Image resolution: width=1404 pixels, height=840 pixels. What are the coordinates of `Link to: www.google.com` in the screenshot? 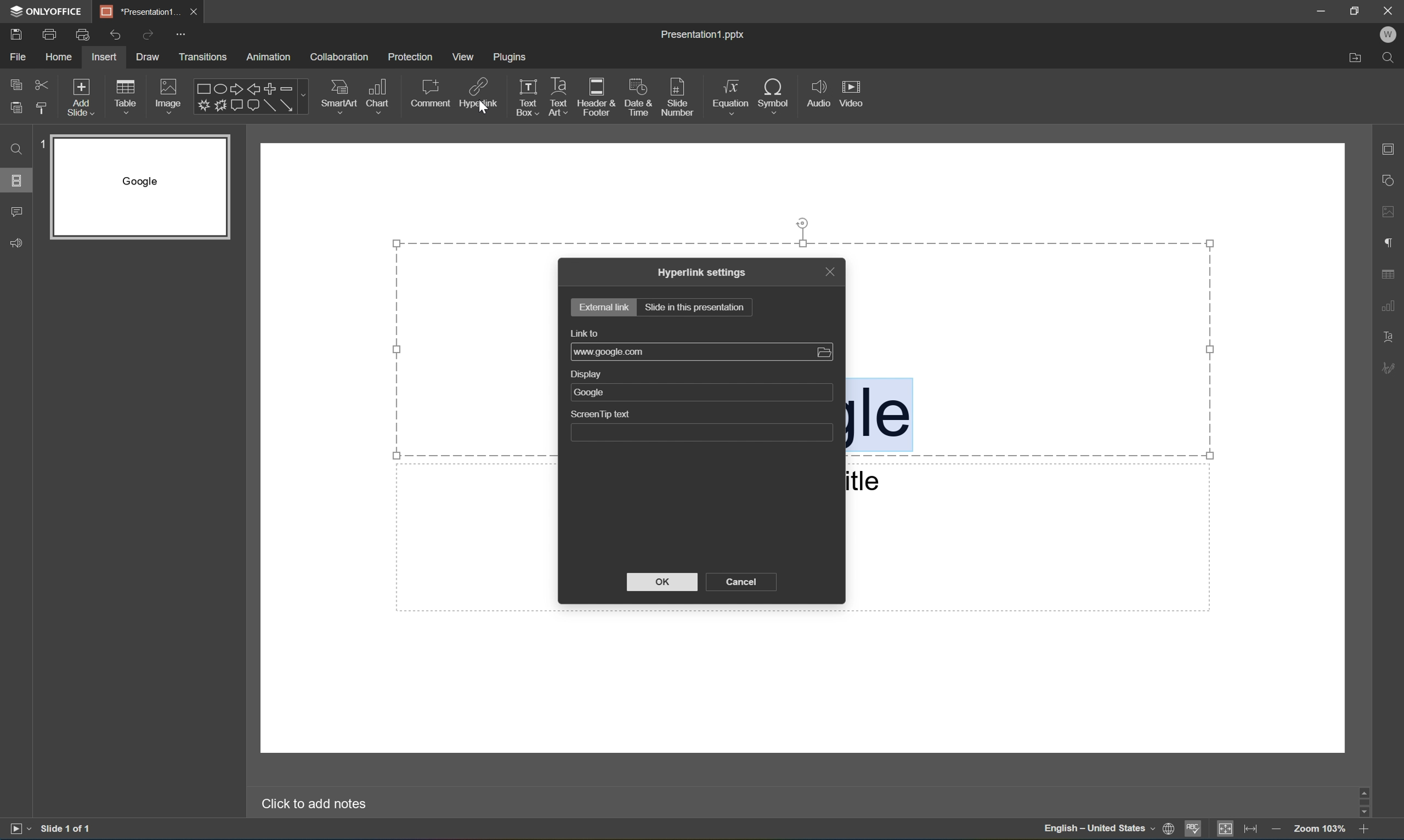 It's located at (702, 344).